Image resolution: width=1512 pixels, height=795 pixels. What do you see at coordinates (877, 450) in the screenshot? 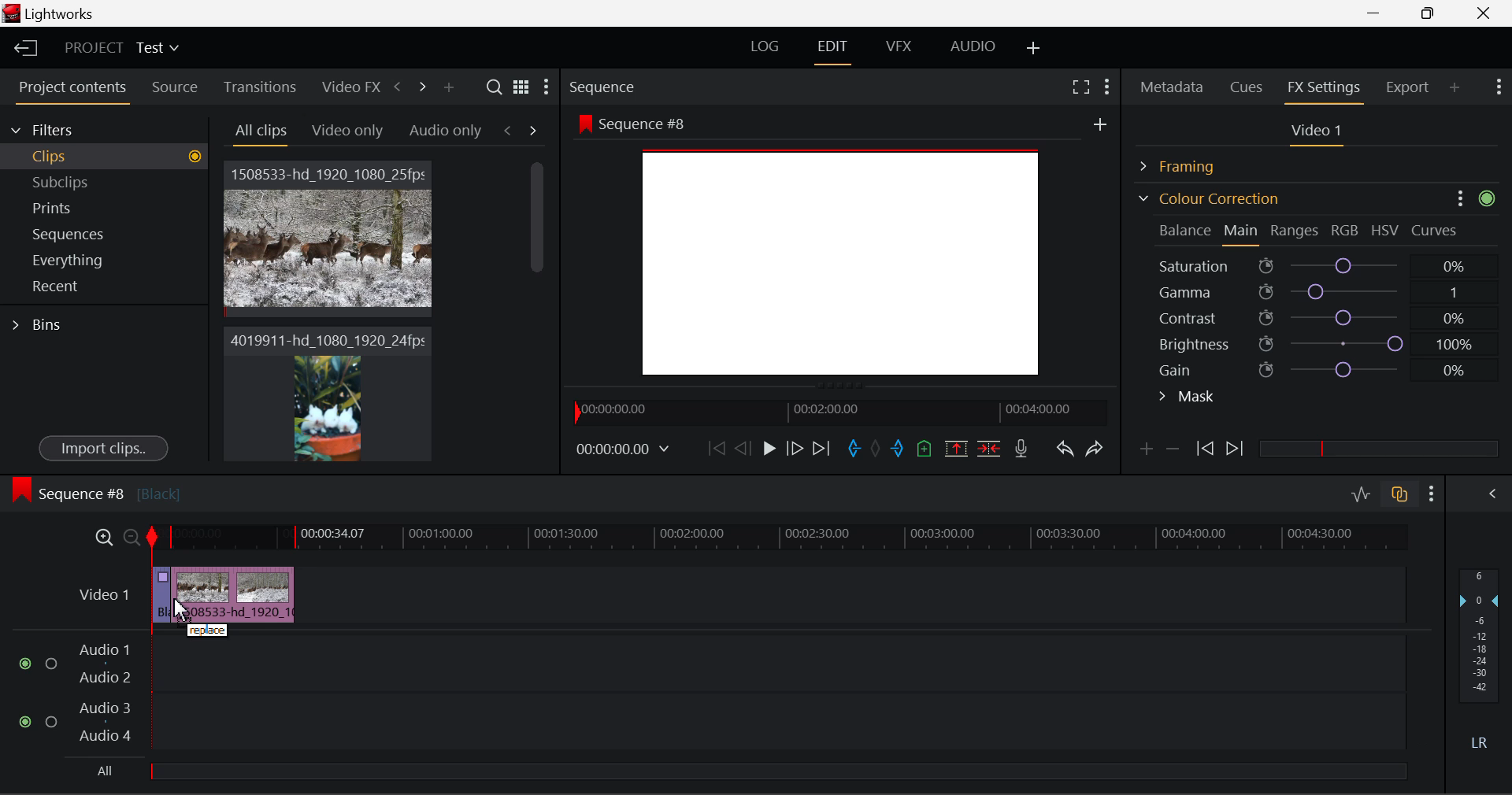
I see `Remove All Marks` at bounding box center [877, 450].